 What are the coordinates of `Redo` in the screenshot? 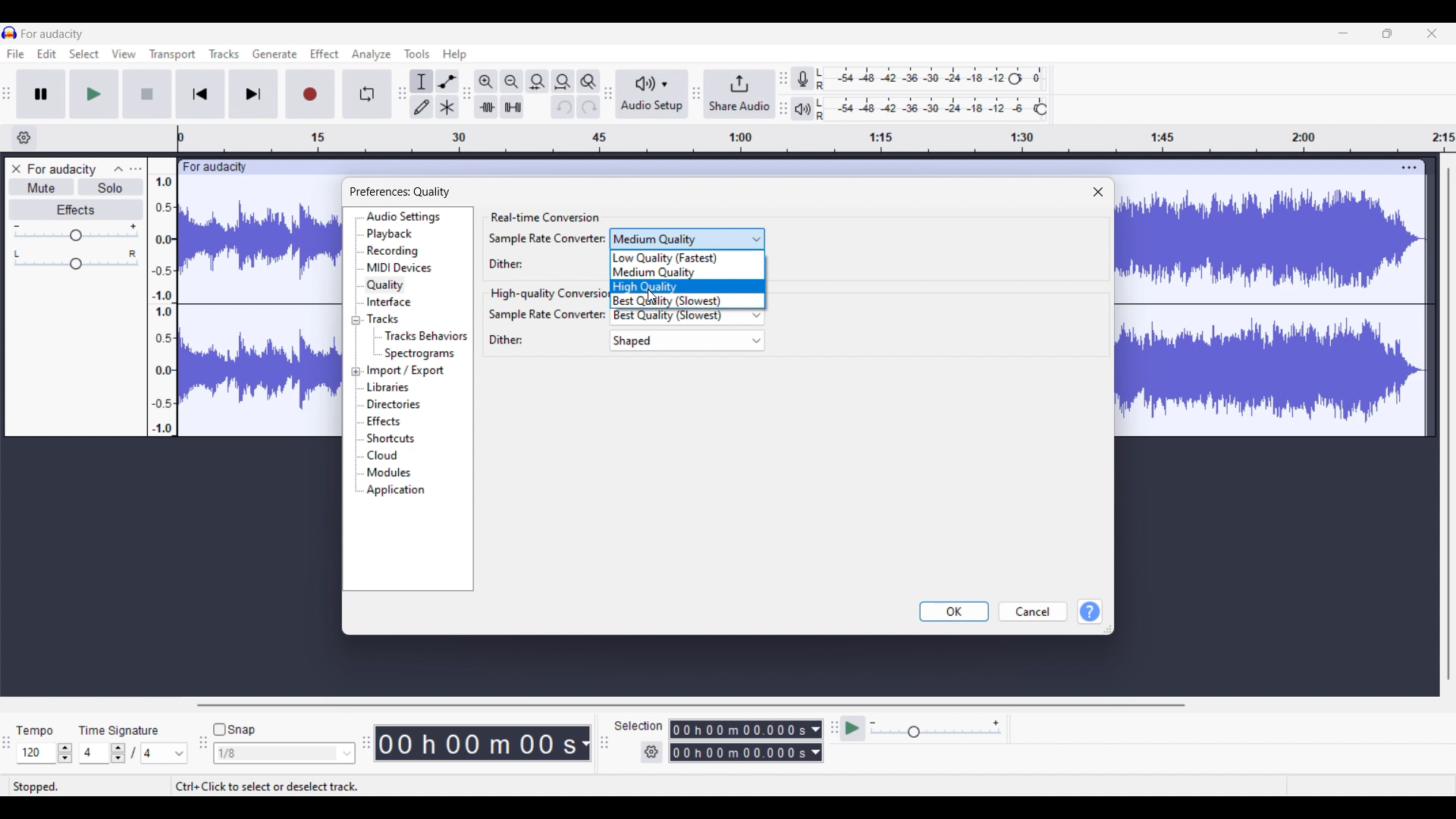 It's located at (588, 107).